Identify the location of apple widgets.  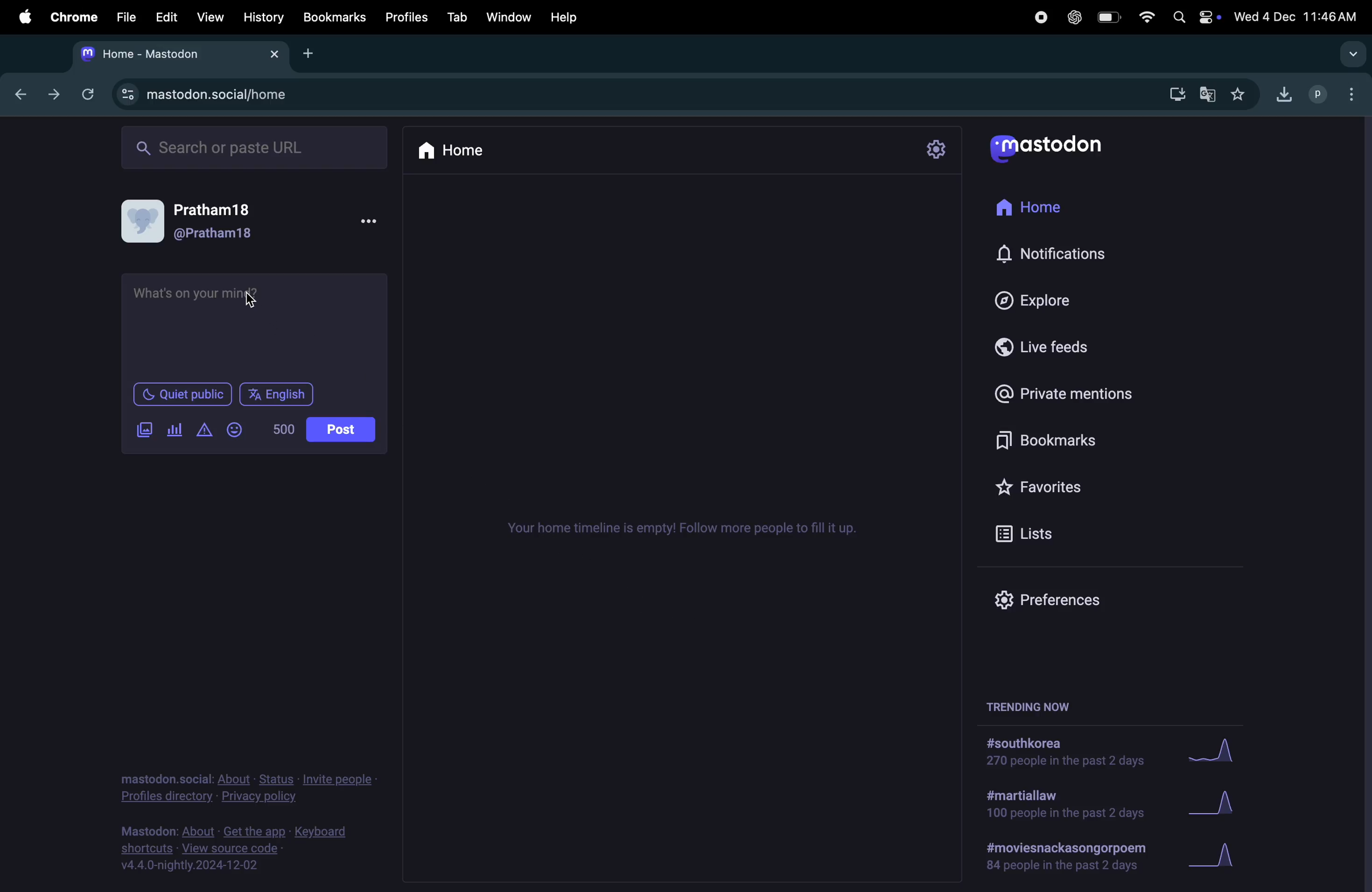
(1193, 16).